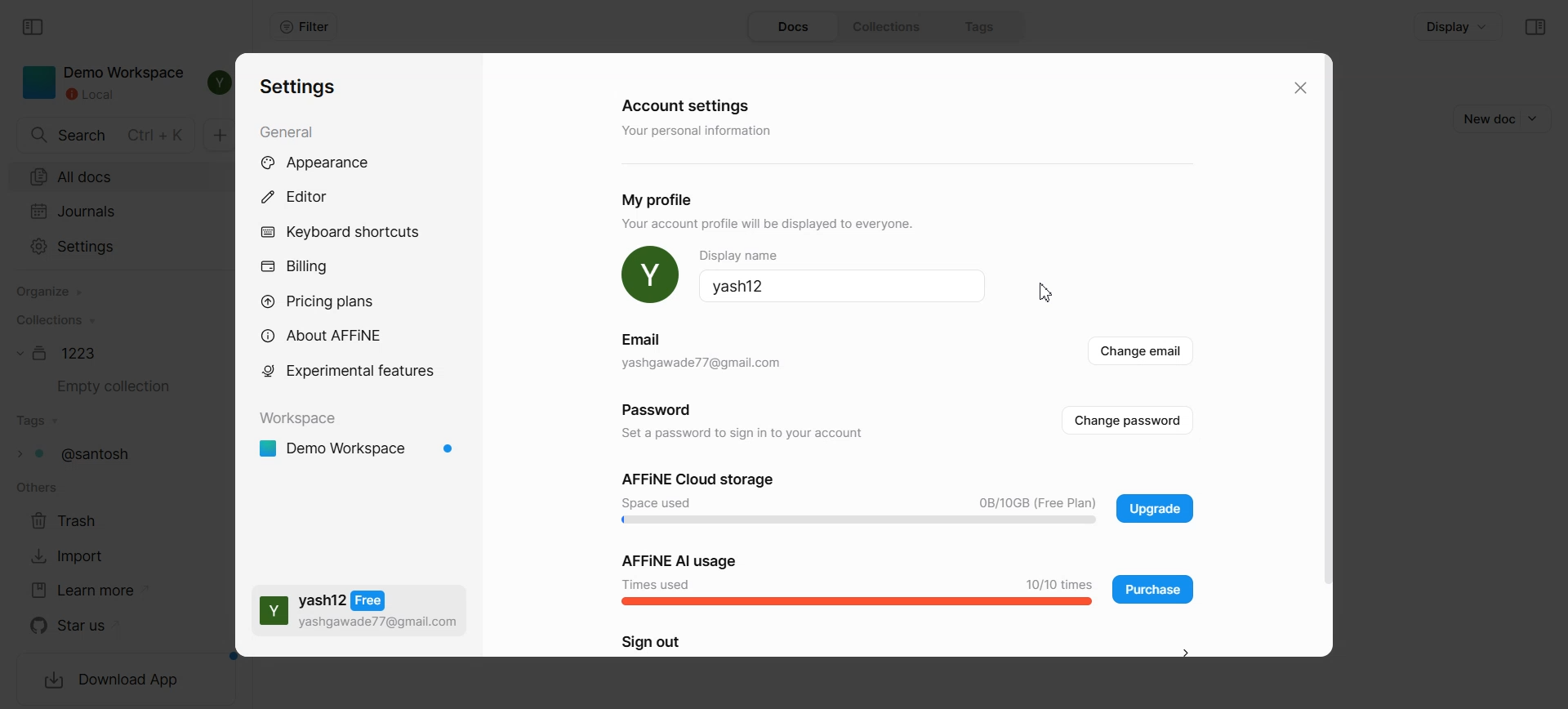  I want to click on Pricing plans, so click(328, 301).